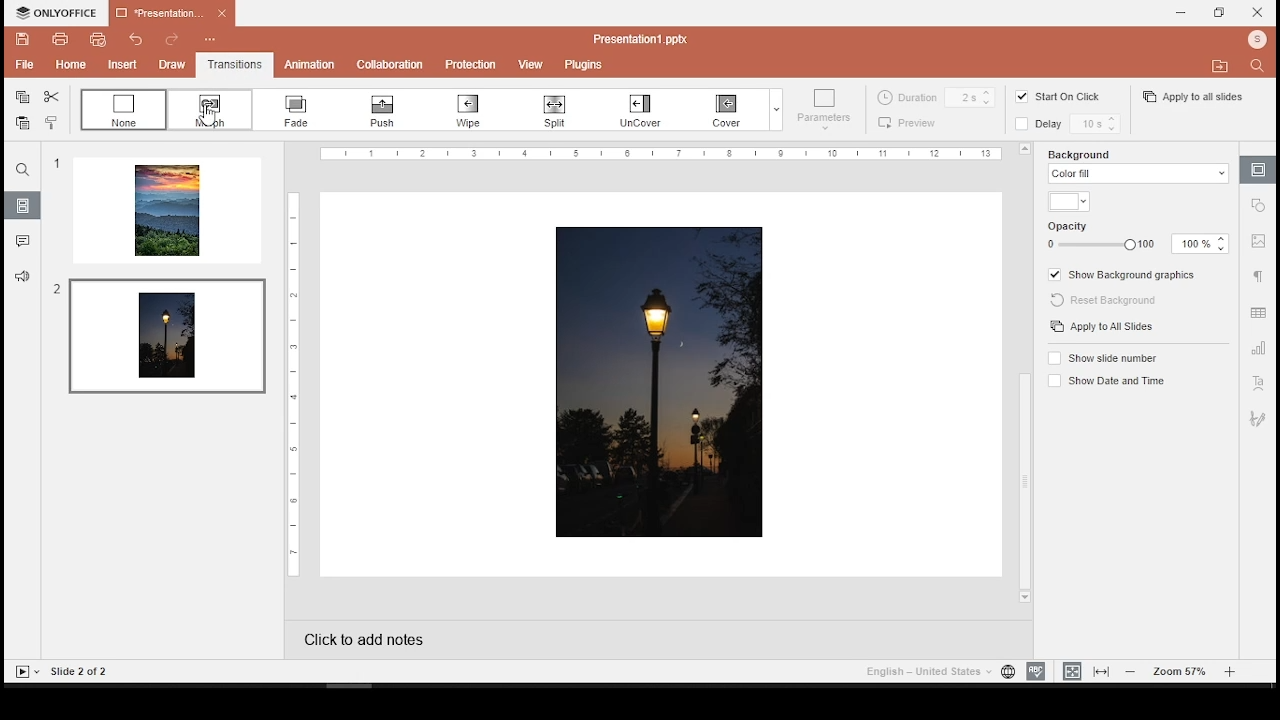  Describe the element at coordinates (1253, 40) in the screenshot. I see `profile` at that location.